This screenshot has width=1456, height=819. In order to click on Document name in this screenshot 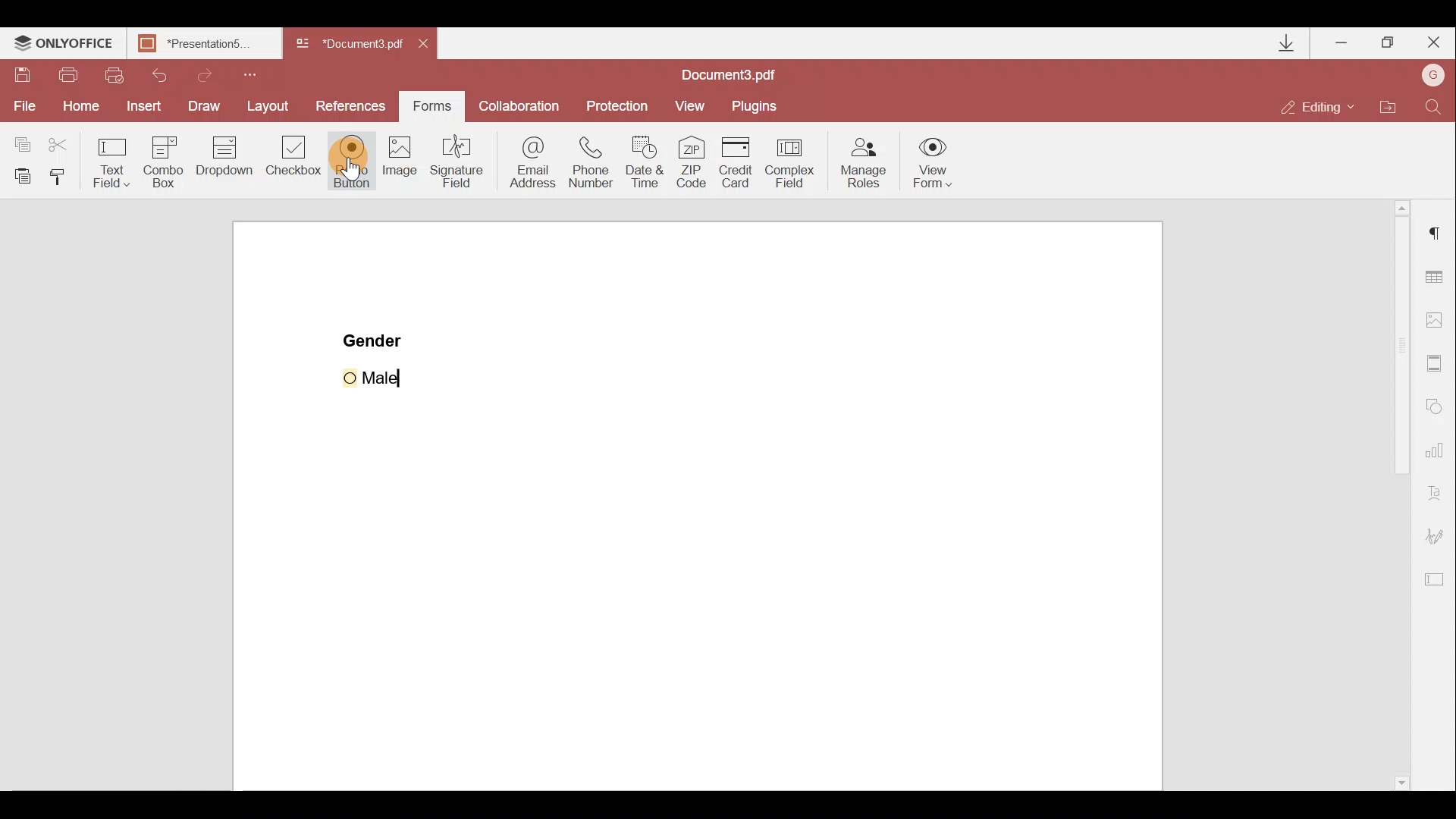, I will do `click(733, 73)`.